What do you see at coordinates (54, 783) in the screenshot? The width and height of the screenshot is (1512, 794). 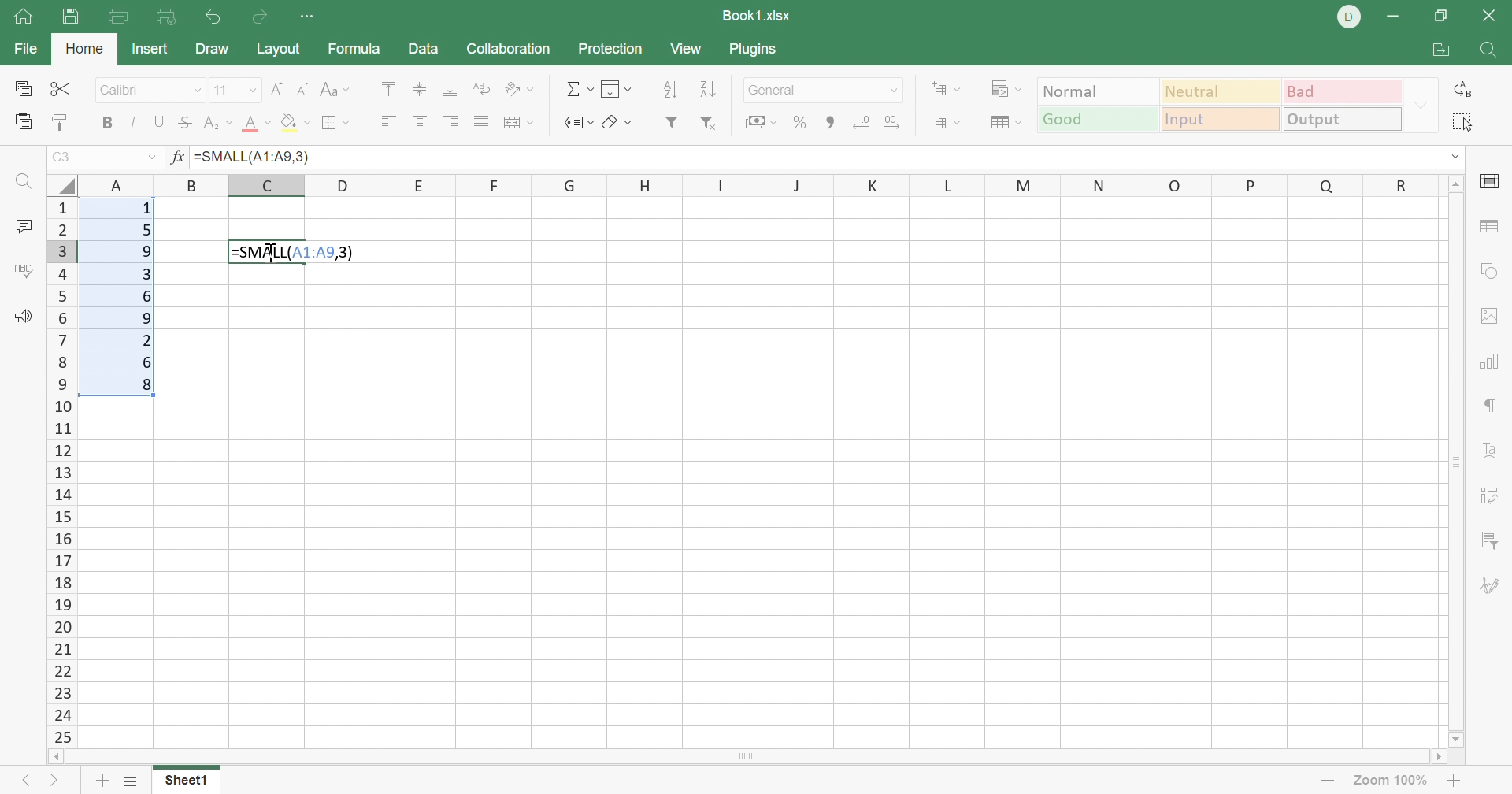 I see `Next` at bounding box center [54, 783].